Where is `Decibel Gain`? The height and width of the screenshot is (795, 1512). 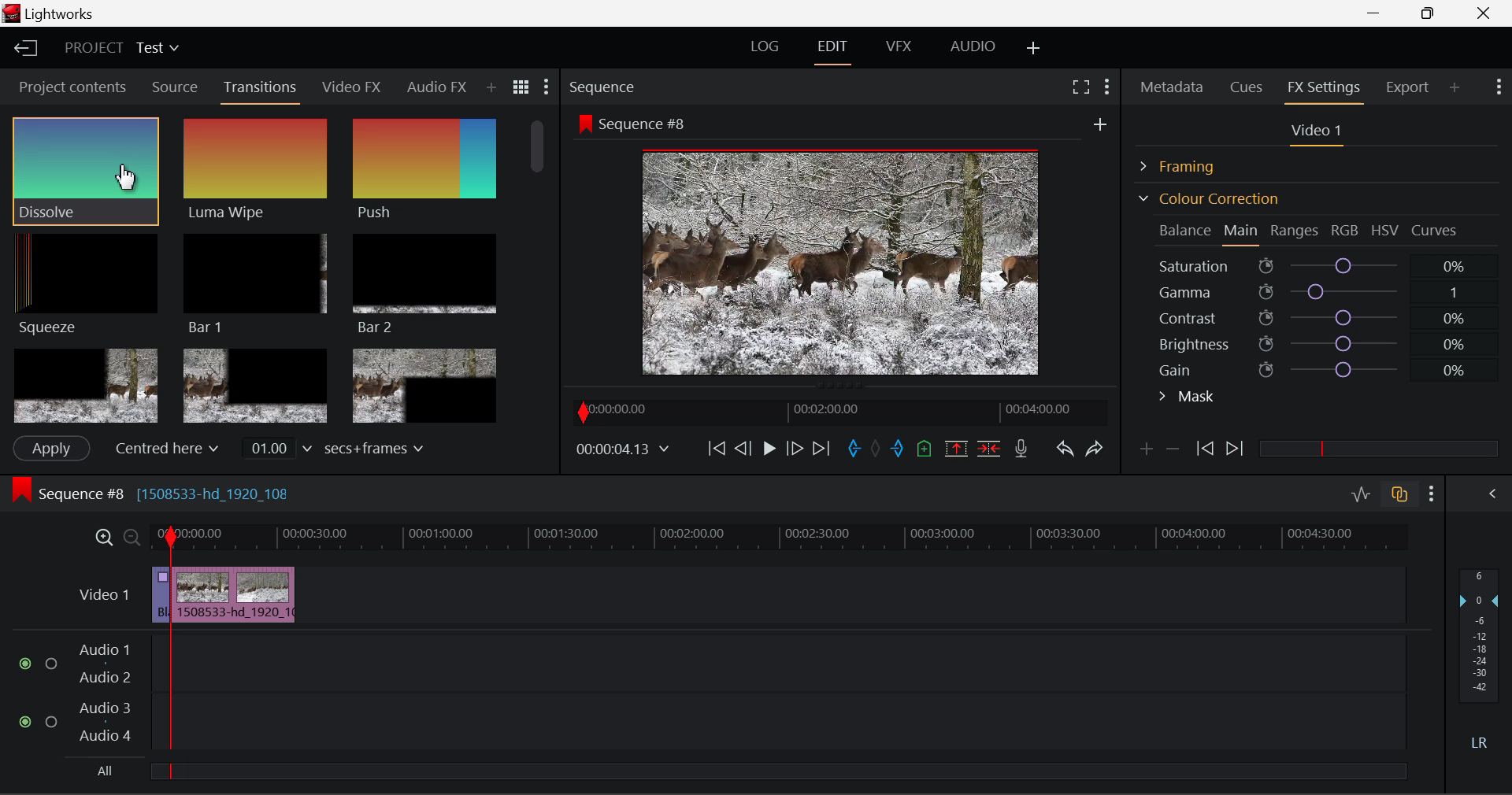 Decibel Gain is located at coordinates (1478, 663).